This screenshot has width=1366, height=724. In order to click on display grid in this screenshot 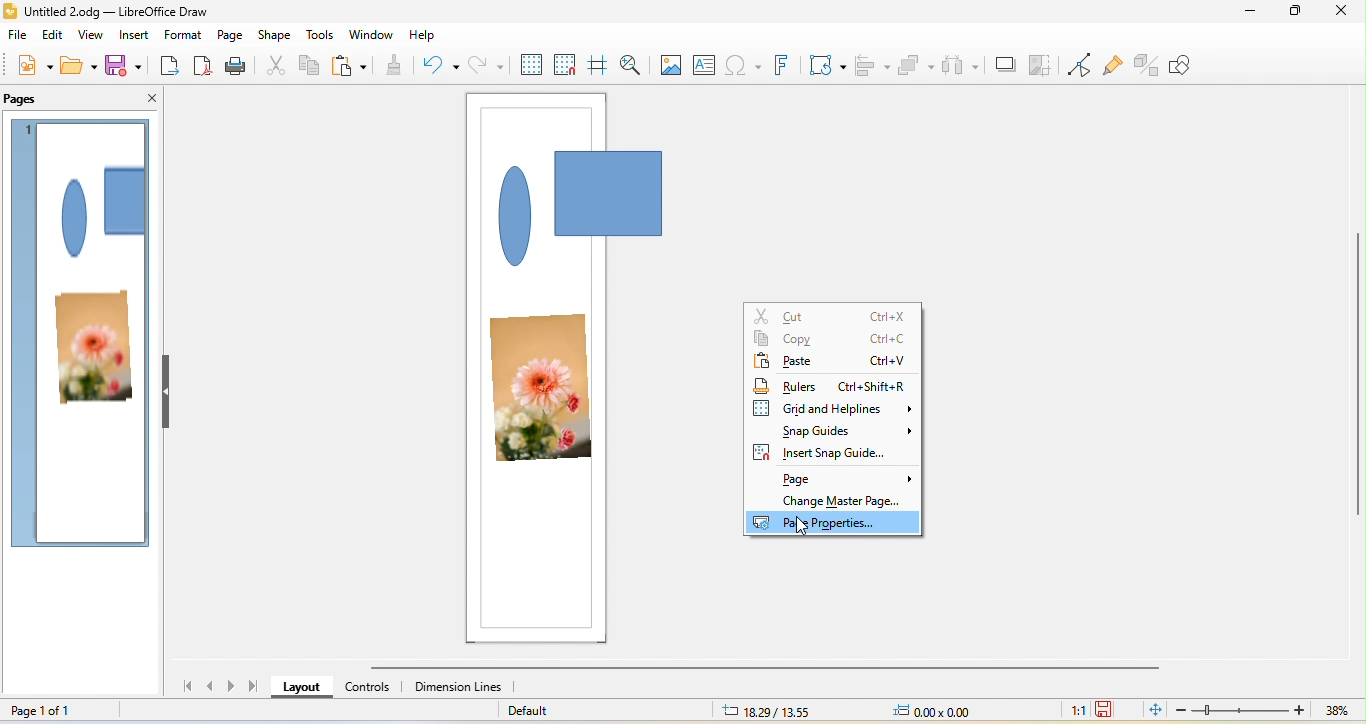, I will do `click(528, 68)`.